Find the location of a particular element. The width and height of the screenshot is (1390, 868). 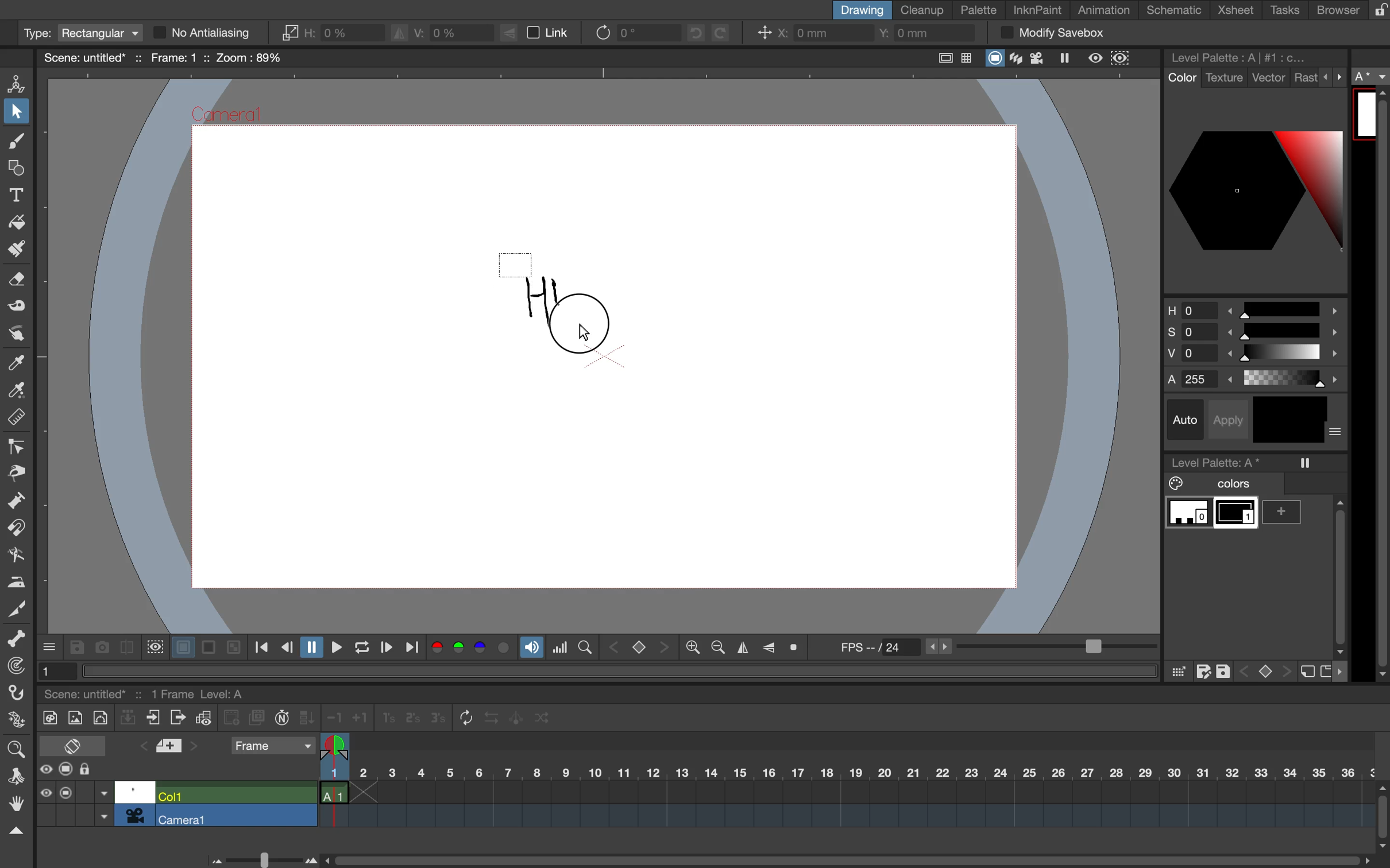

zoom out is located at coordinates (692, 649).